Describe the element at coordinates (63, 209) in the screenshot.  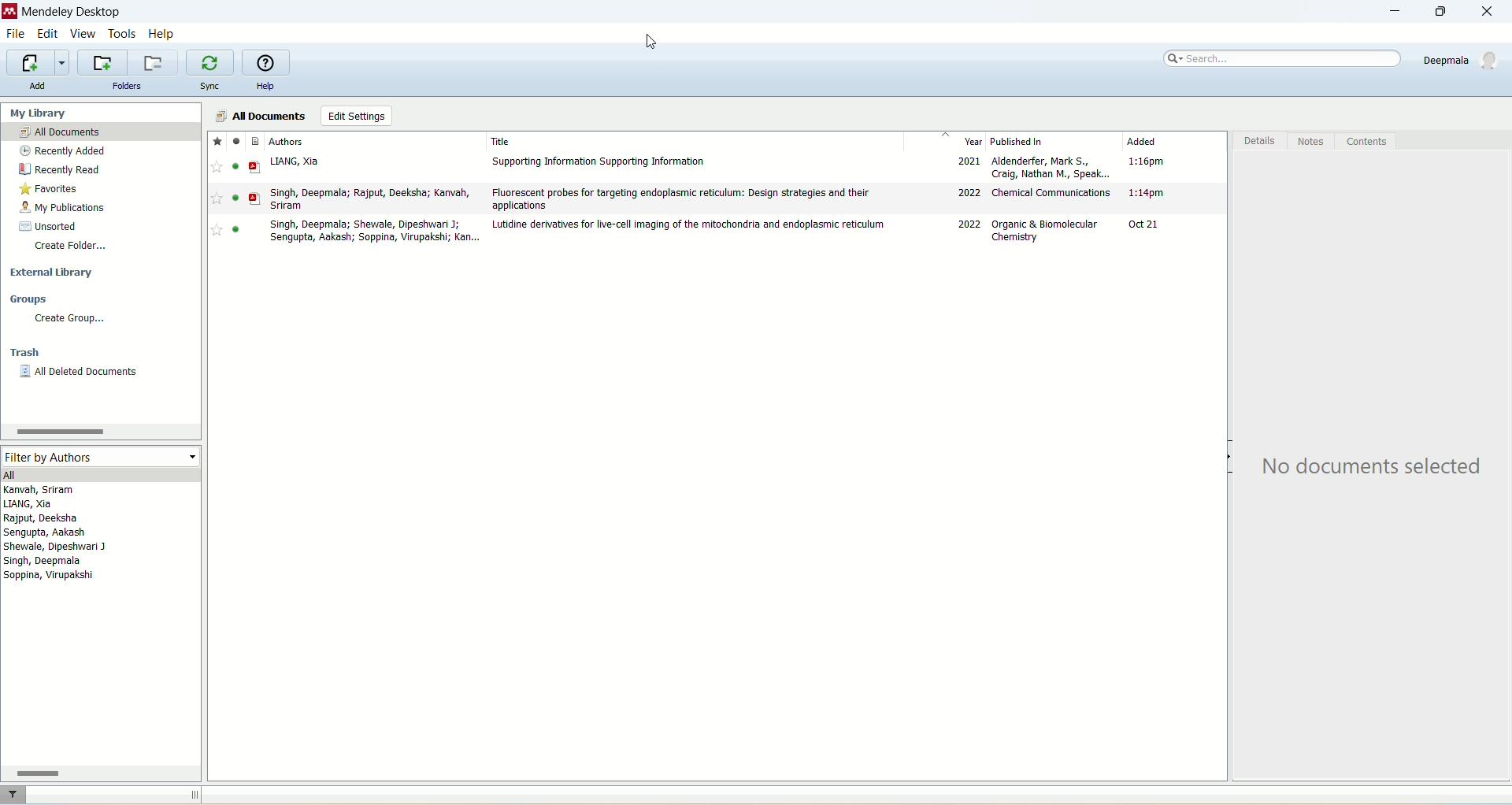
I see `my publication` at that location.